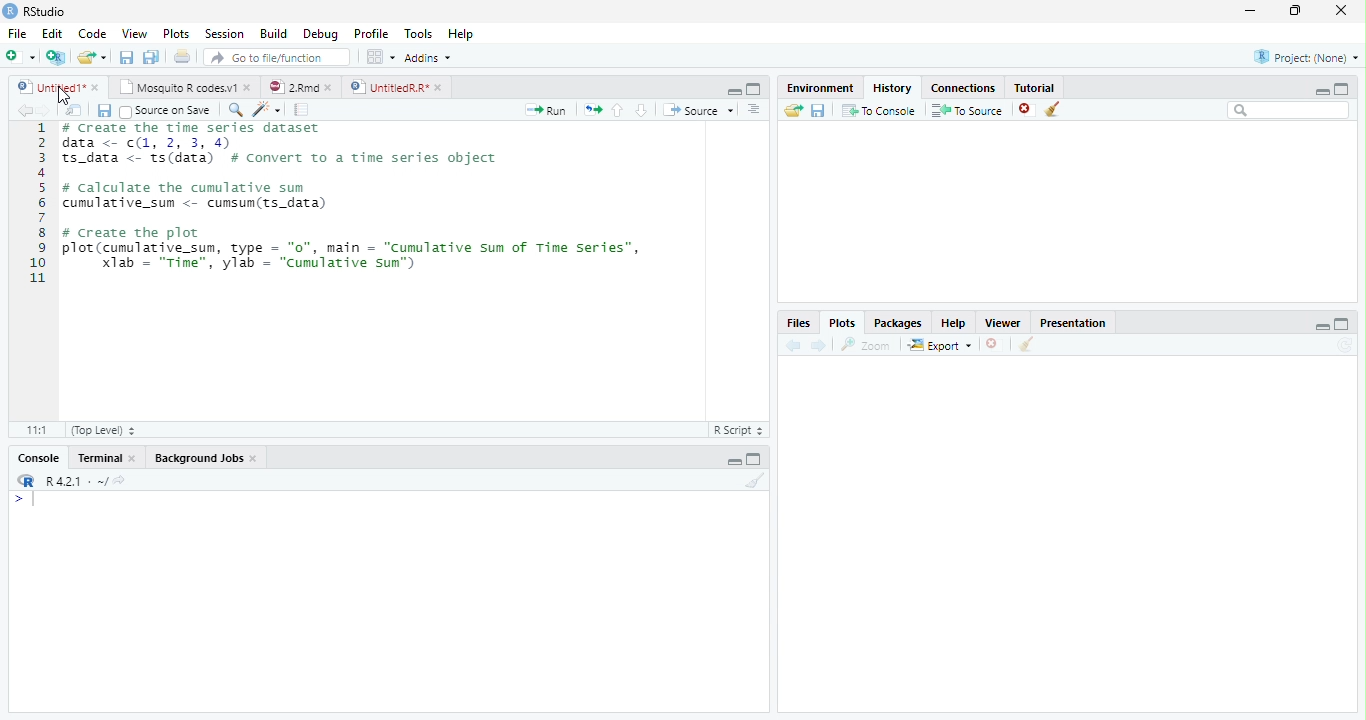 This screenshot has width=1366, height=720. I want to click on # Create the time series dataset data <- (1, 2, 3, 4)S_data <- ts(data) # convert to a time series objectcalculate the cumulative sumumulative_sum <- cumsum(ts_data)create the plotlot (cumulative_sum, type = "0", main = "Cumulative sum of Time Series”,Xlab = "Time", ylab = "cumulative sun"), so click(362, 205).